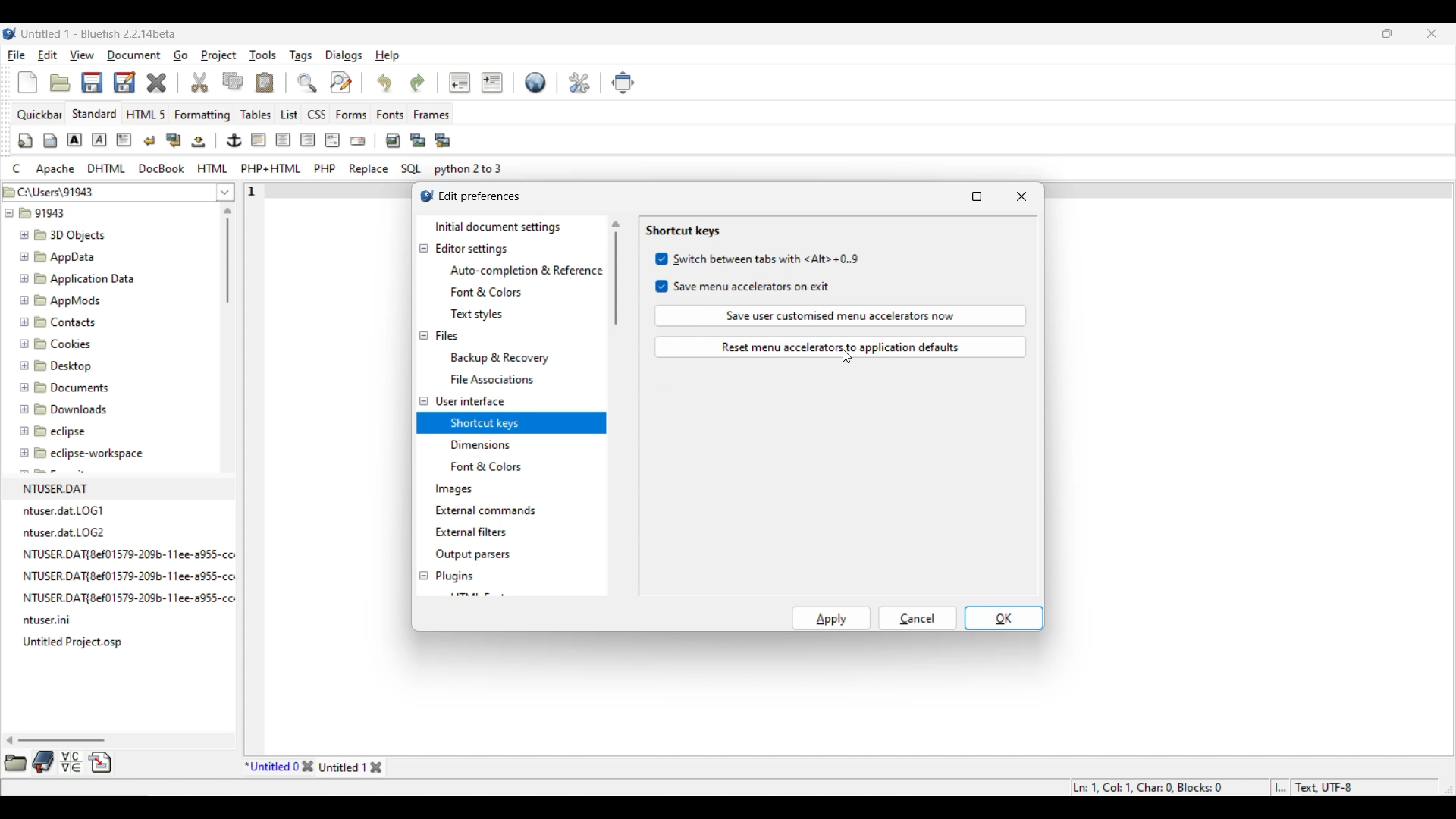  I want to click on Undo, so click(384, 82).